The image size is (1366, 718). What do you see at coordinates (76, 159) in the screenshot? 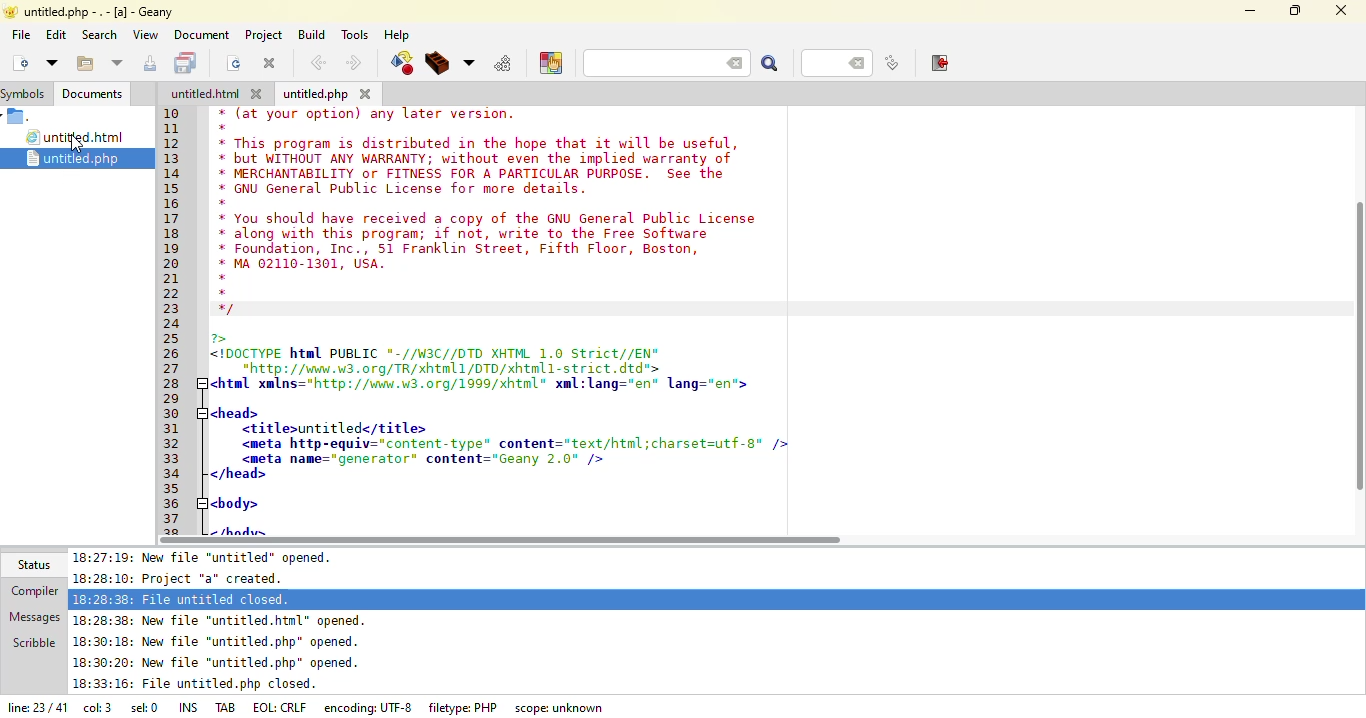
I see `php` at bounding box center [76, 159].